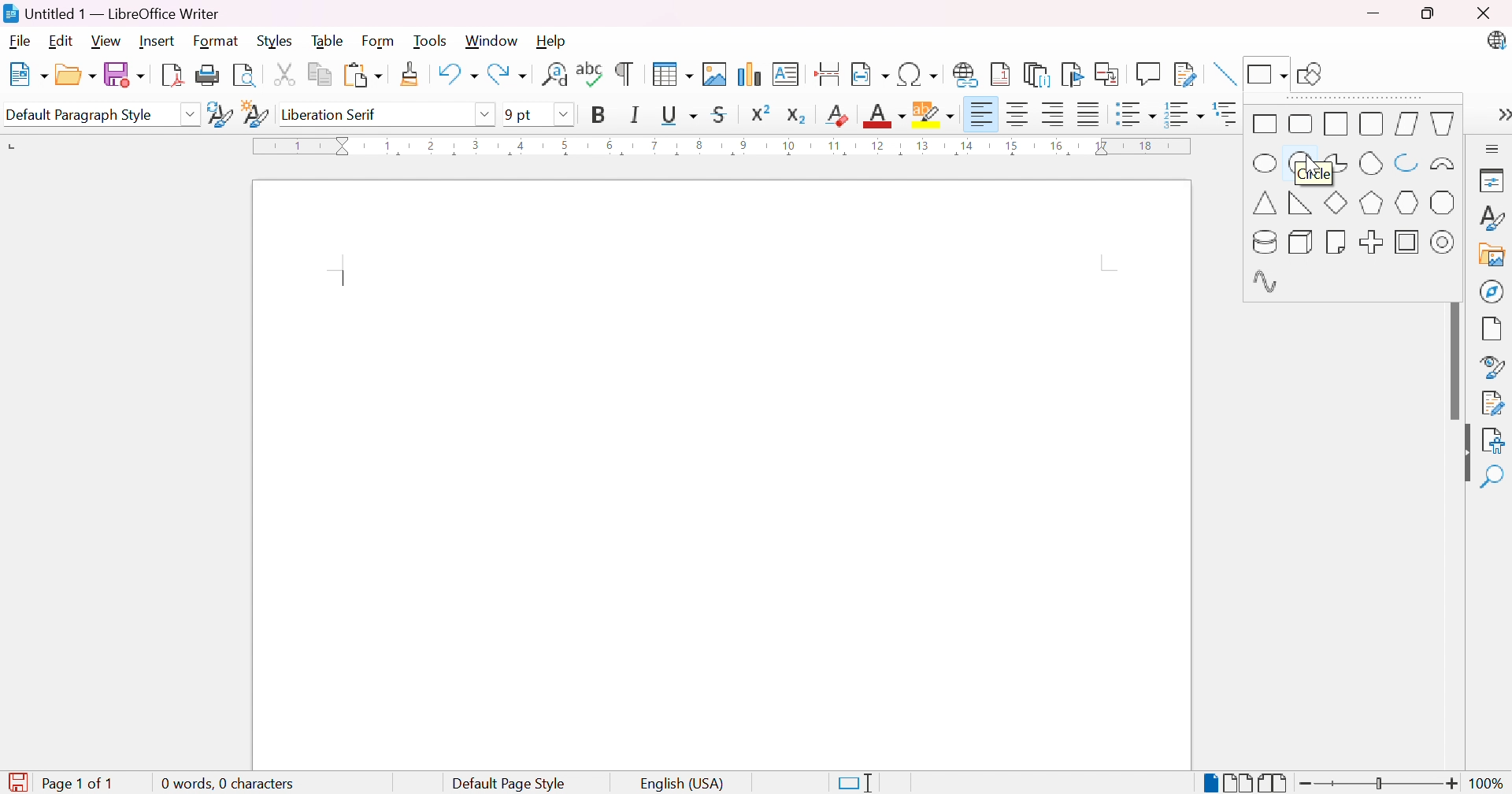  Describe the element at coordinates (1406, 202) in the screenshot. I see `Hexagon` at that location.